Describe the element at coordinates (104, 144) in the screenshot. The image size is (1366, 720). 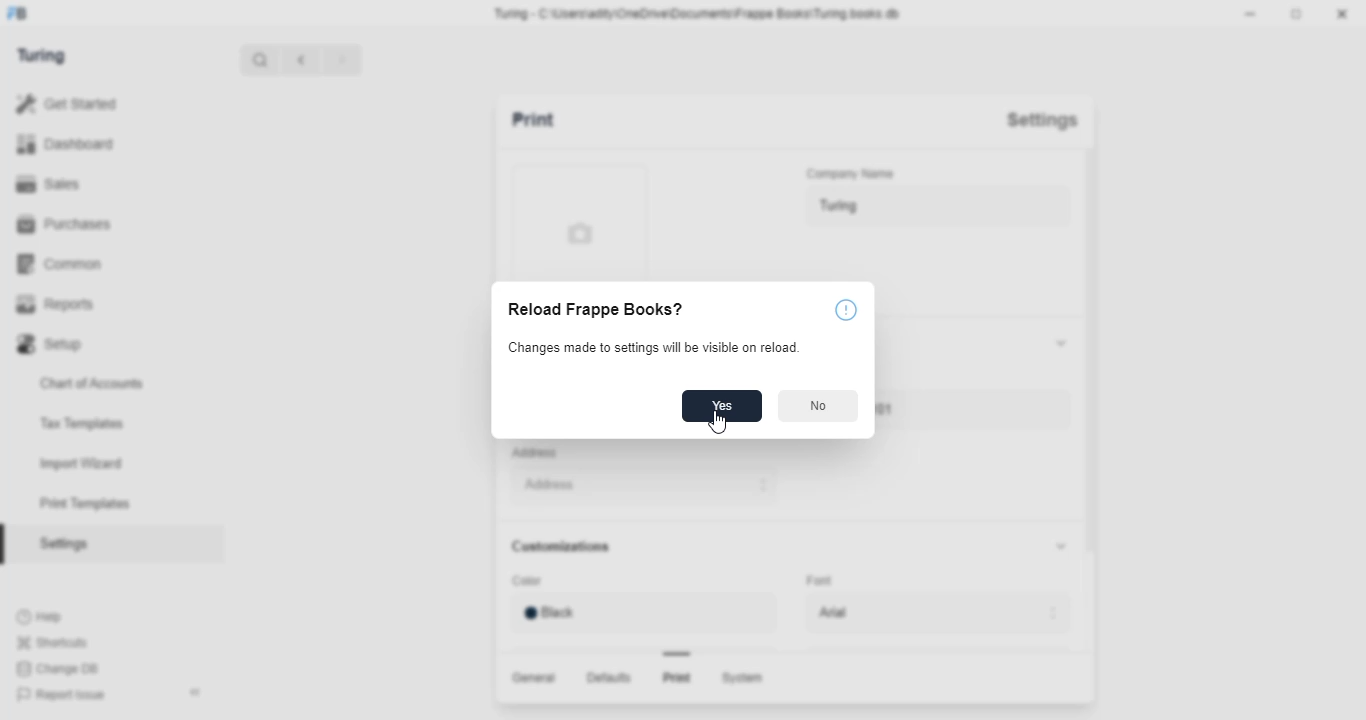
I see `Dashboard` at that location.